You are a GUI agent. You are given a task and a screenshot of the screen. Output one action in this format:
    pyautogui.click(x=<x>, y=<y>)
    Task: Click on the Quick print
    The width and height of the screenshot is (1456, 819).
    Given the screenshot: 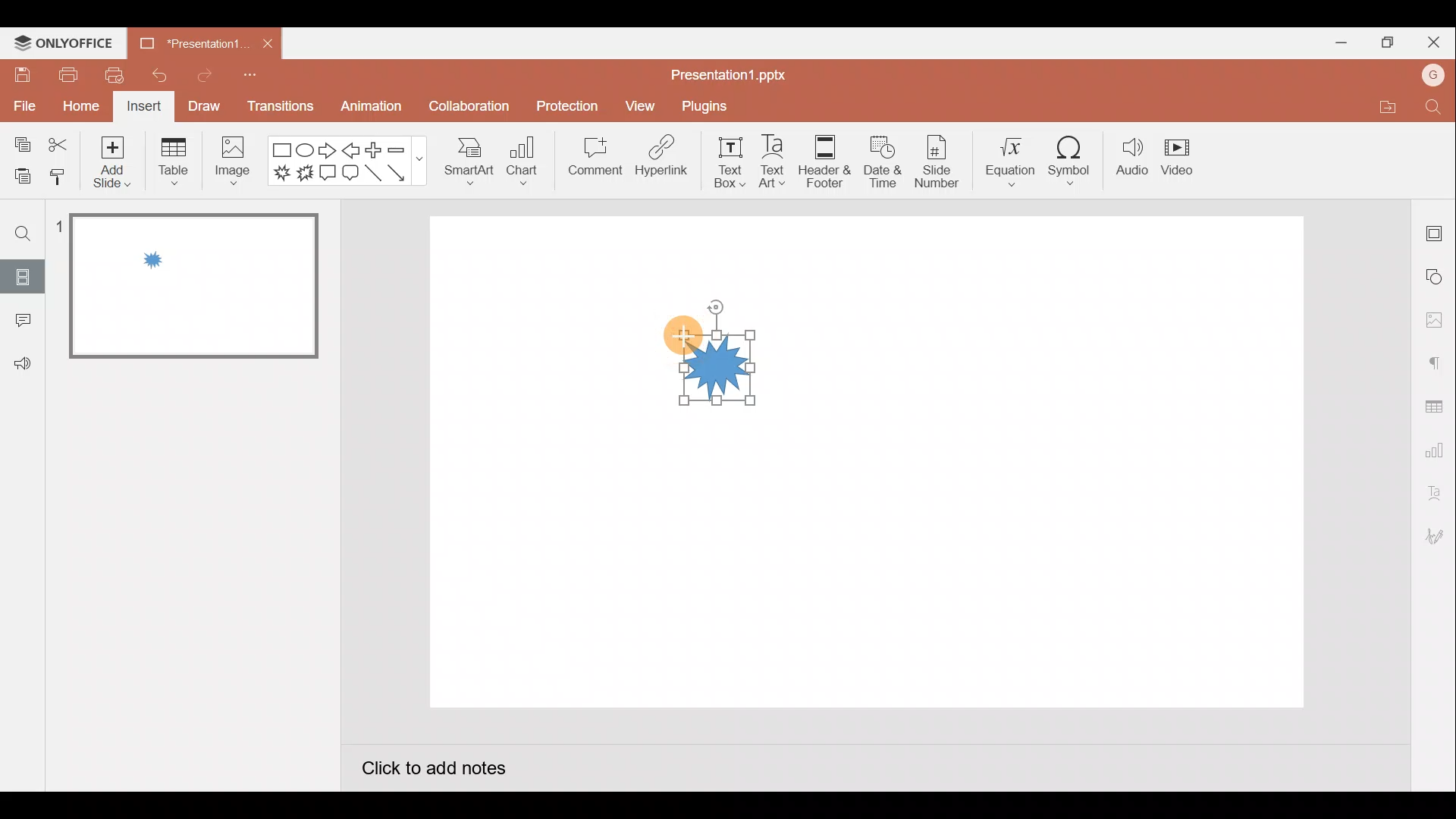 What is the action you would take?
    pyautogui.click(x=113, y=75)
    